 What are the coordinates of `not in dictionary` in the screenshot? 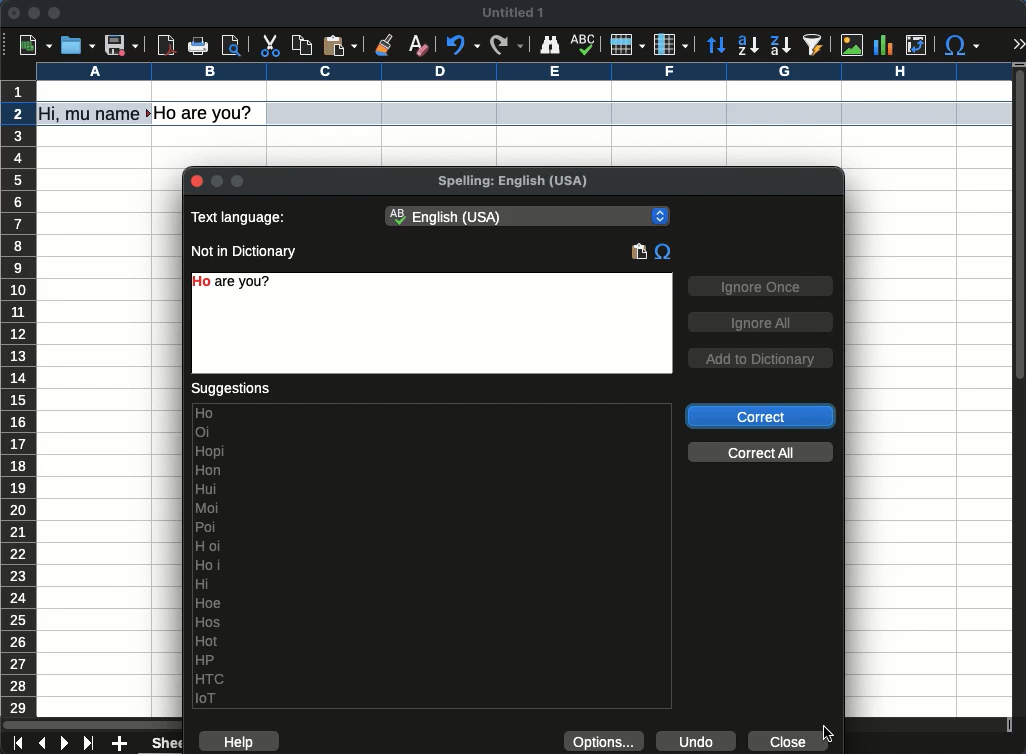 It's located at (244, 252).